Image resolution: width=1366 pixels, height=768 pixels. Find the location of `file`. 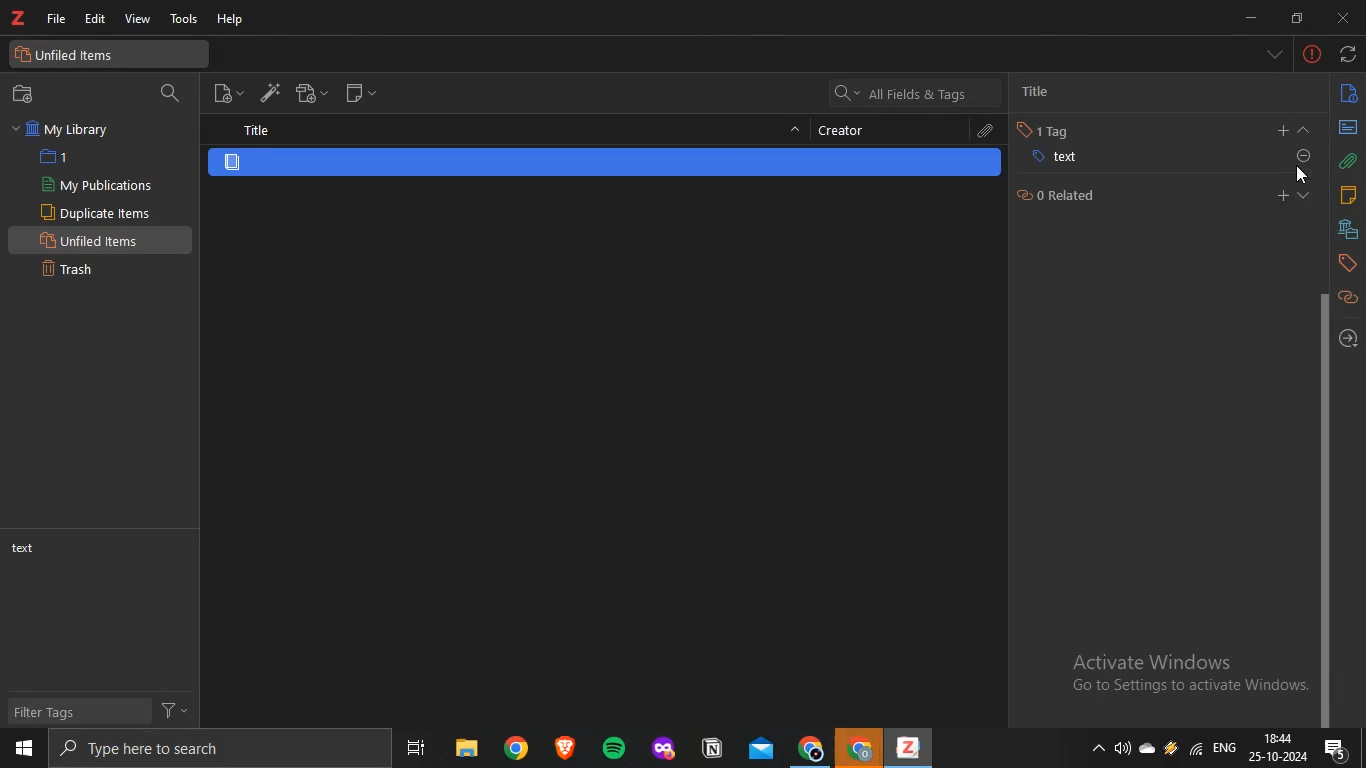

file is located at coordinates (55, 18).